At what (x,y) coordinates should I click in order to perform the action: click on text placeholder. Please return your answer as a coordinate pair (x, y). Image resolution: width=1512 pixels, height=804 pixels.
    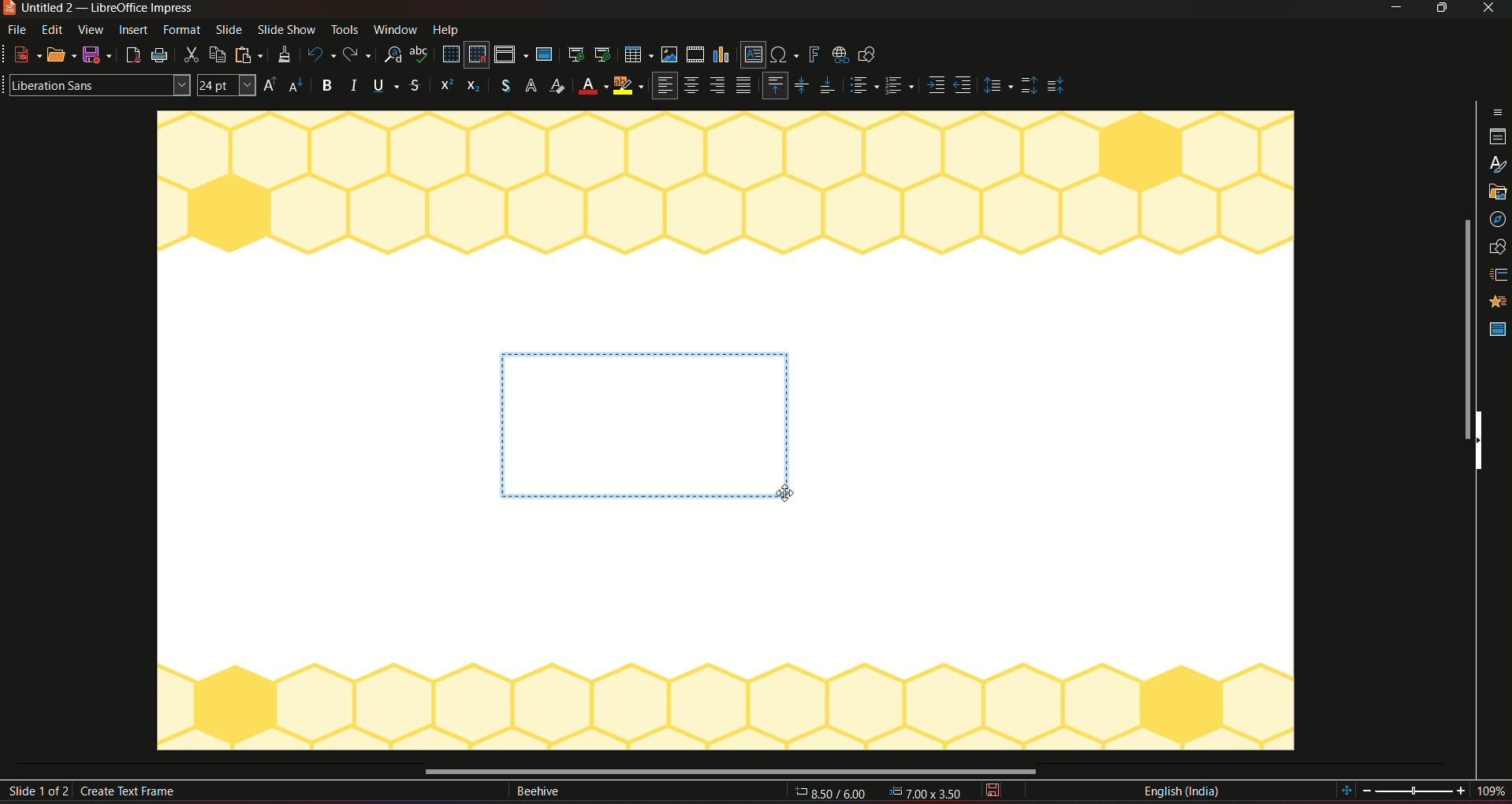
    Looking at the image, I should click on (642, 429).